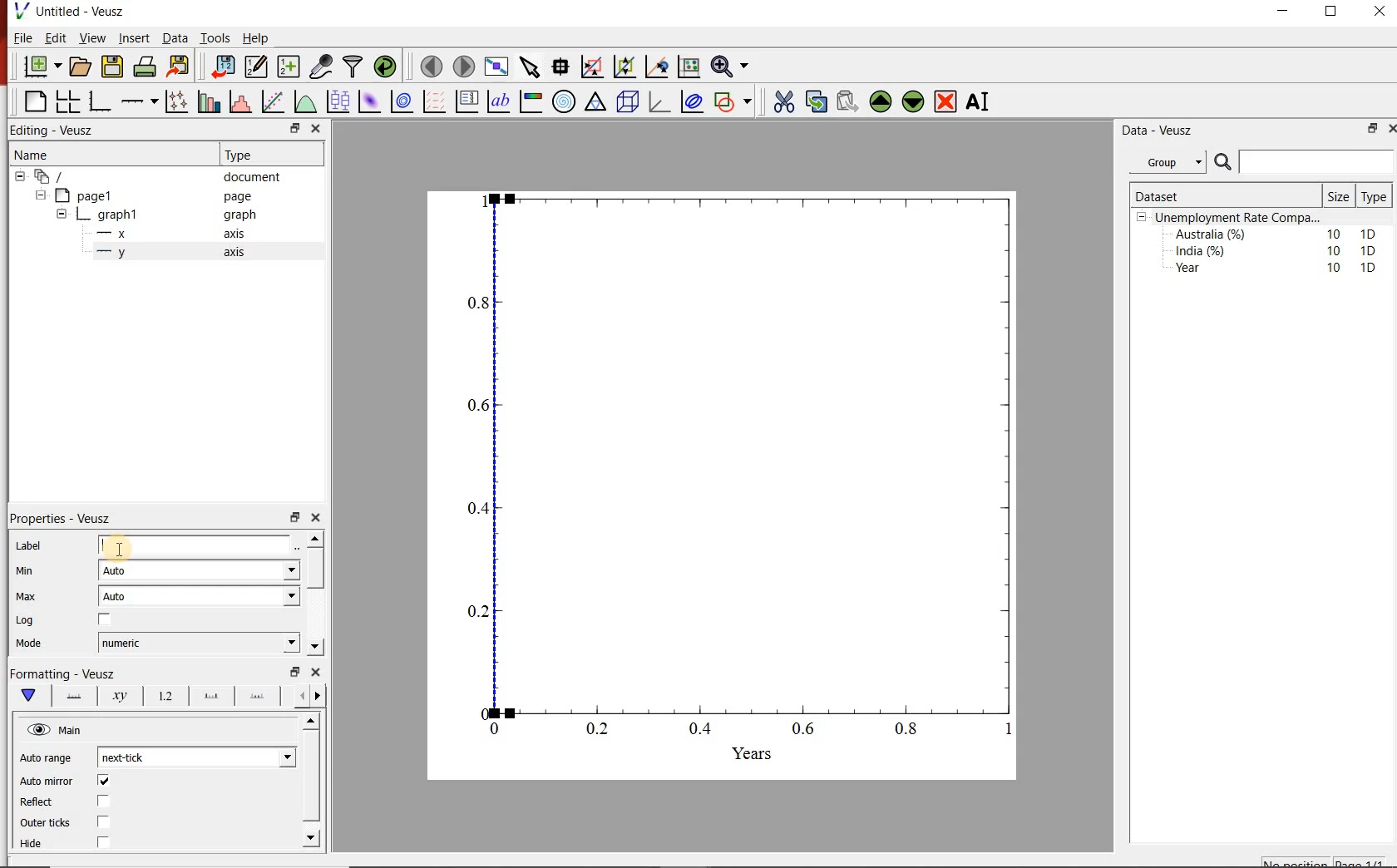  What do you see at coordinates (317, 672) in the screenshot?
I see `close` at bounding box center [317, 672].